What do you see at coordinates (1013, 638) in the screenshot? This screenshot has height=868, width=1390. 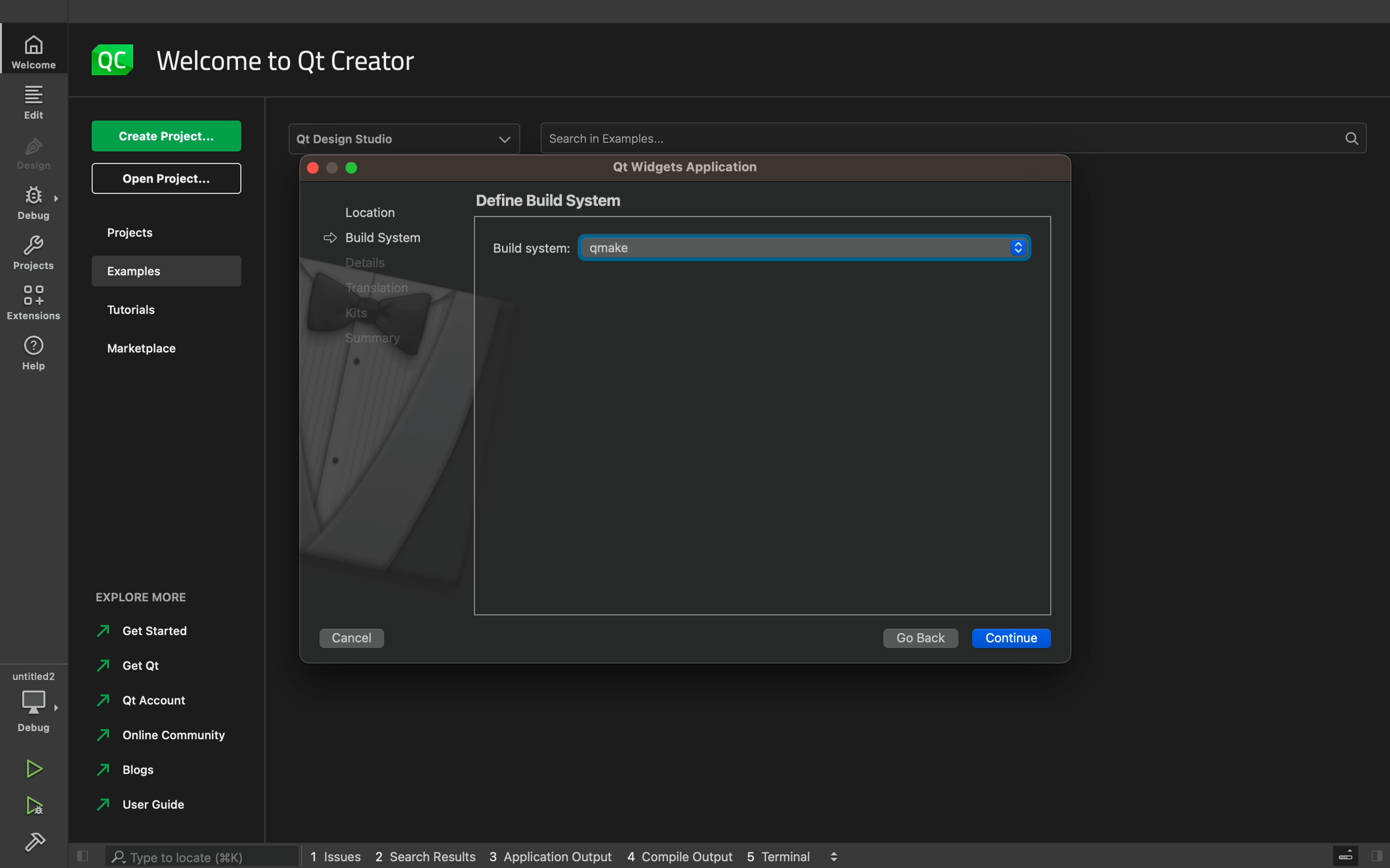 I see `continue` at bounding box center [1013, 638].